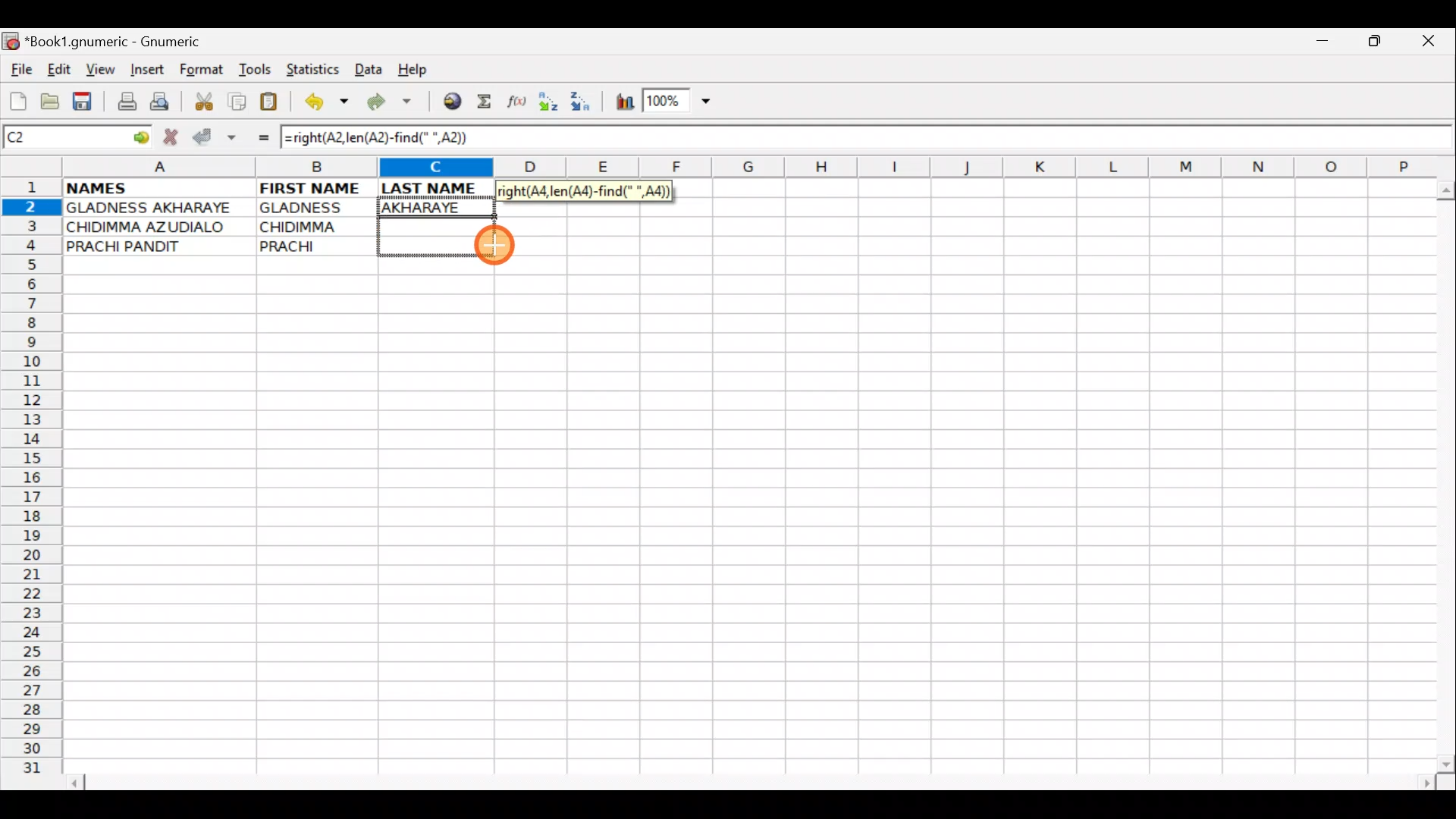 Image resolution: width=1456 pixels, height=819 pixels. Describe the element at coordinates (123, 103) in the screenshot. I see `Print file` at that location.